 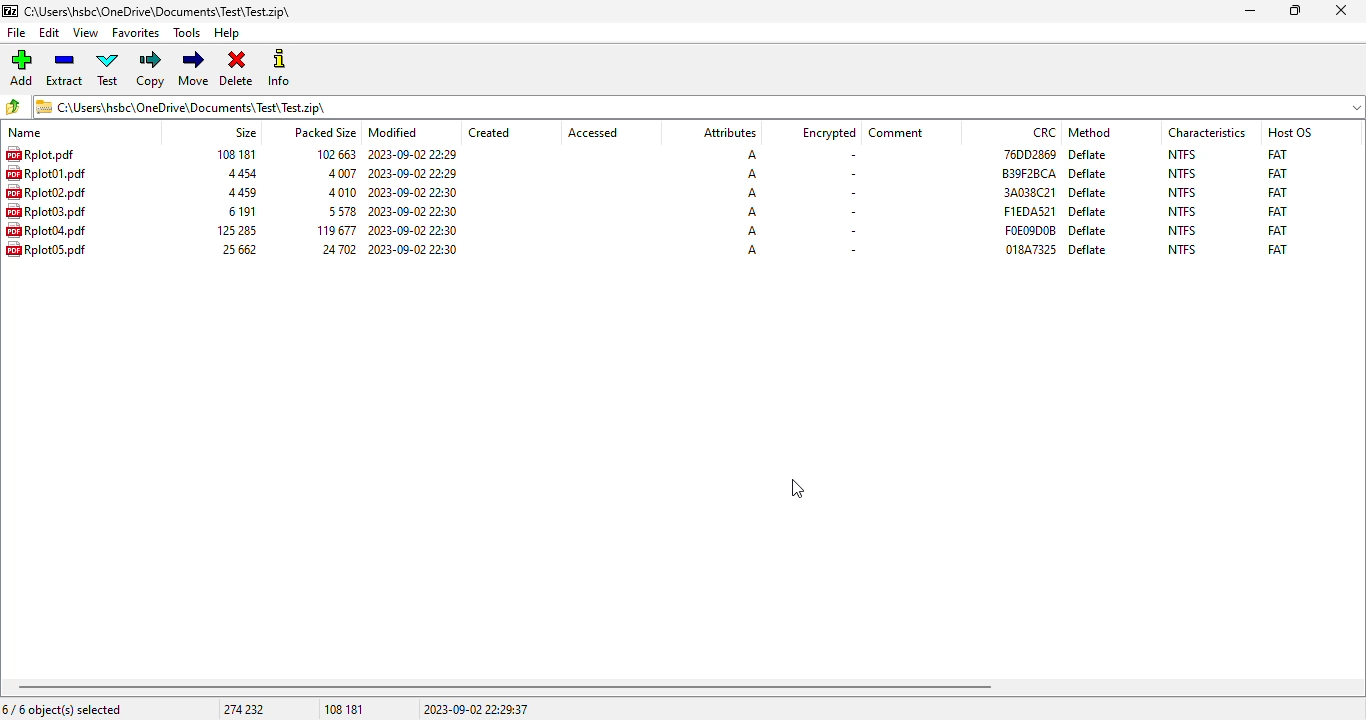 What do you see at coordinates (243, 709) in the screenshot?
I see `274 232` at bounding box center [243, 709].